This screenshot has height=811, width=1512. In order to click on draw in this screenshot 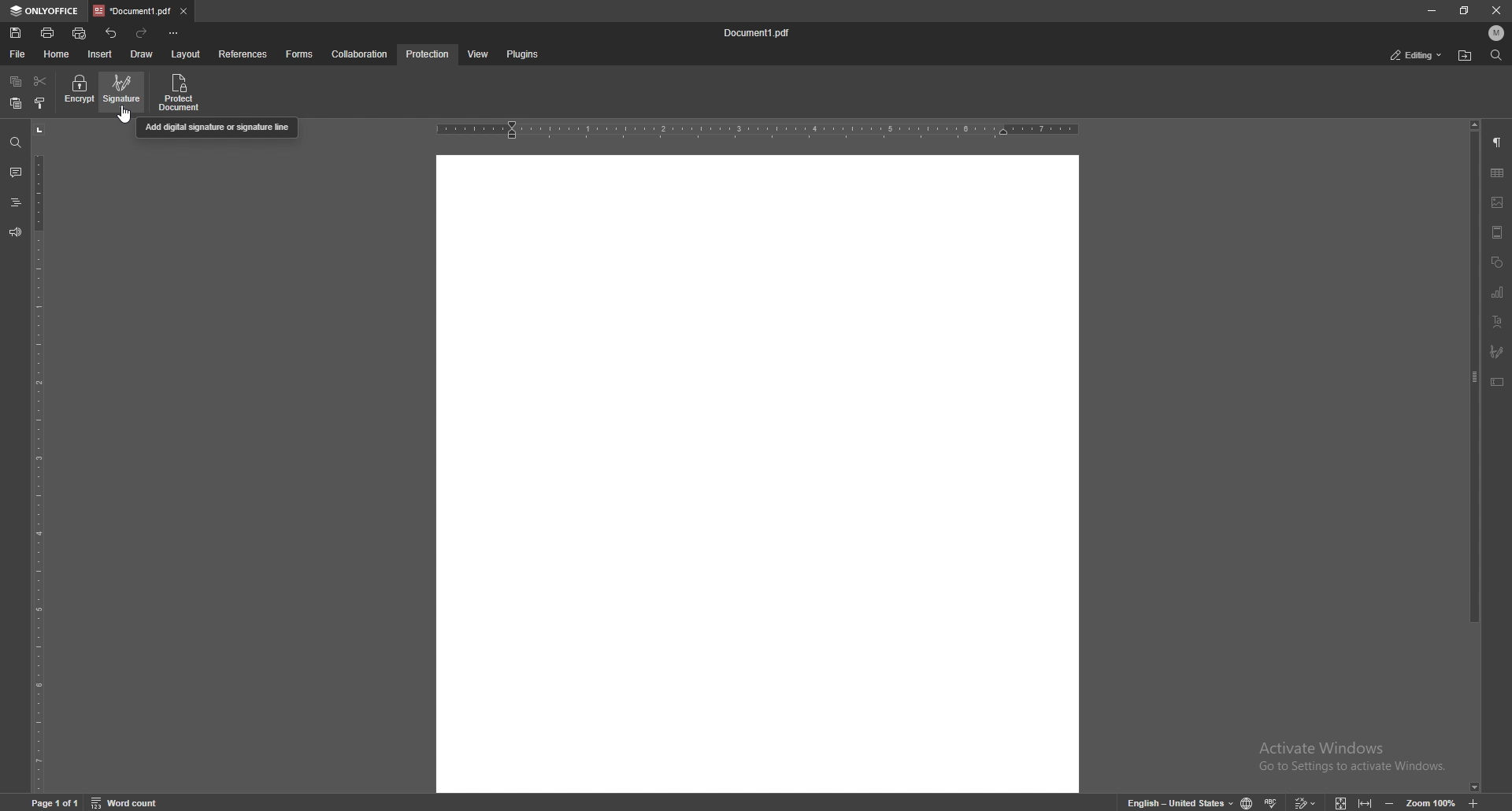, I will do `click(142, 54)`.